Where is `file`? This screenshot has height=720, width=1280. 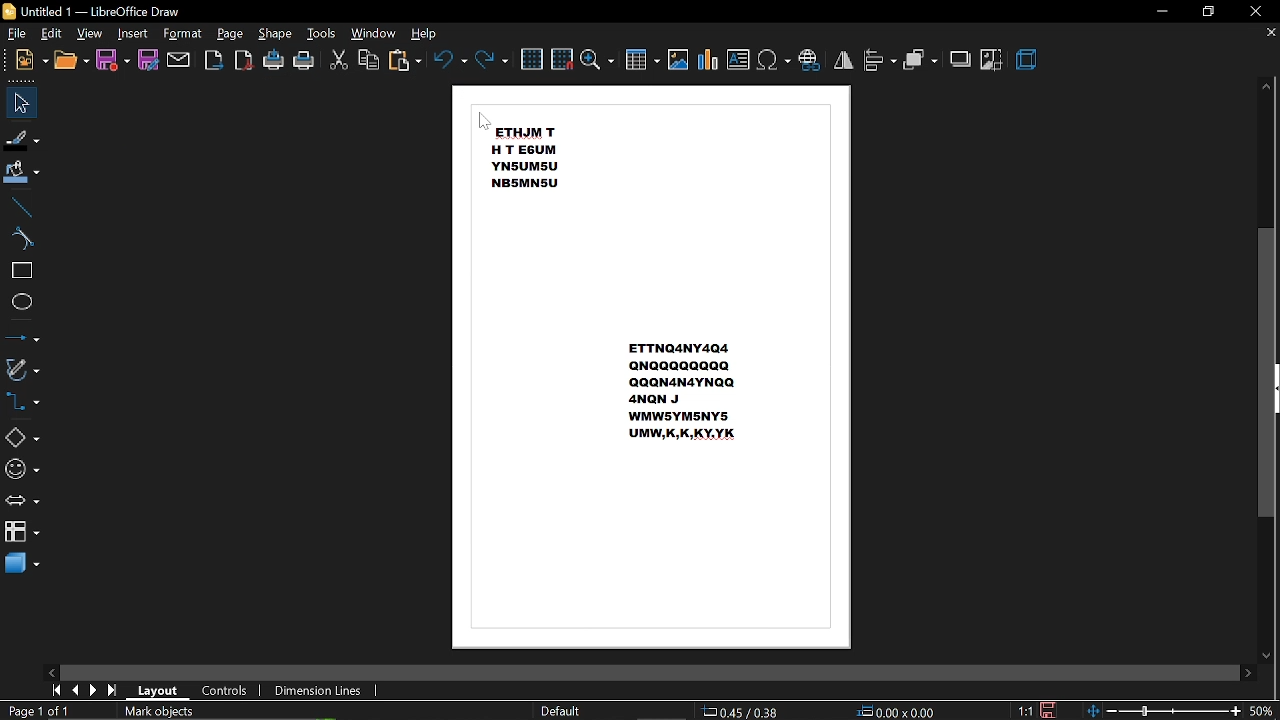
file is located at coordinates (18, 34).